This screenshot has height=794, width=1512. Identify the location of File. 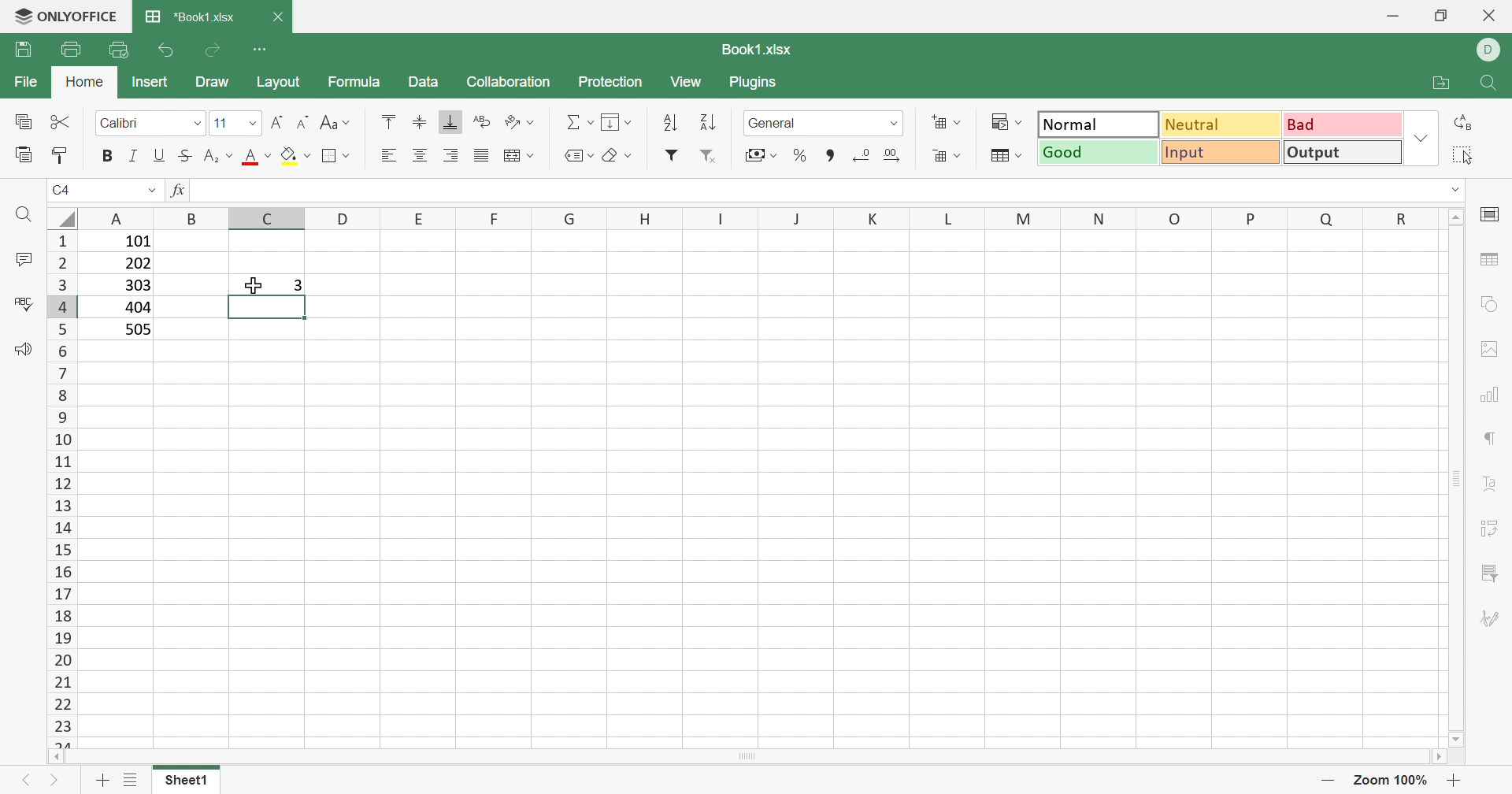
(25, 83).